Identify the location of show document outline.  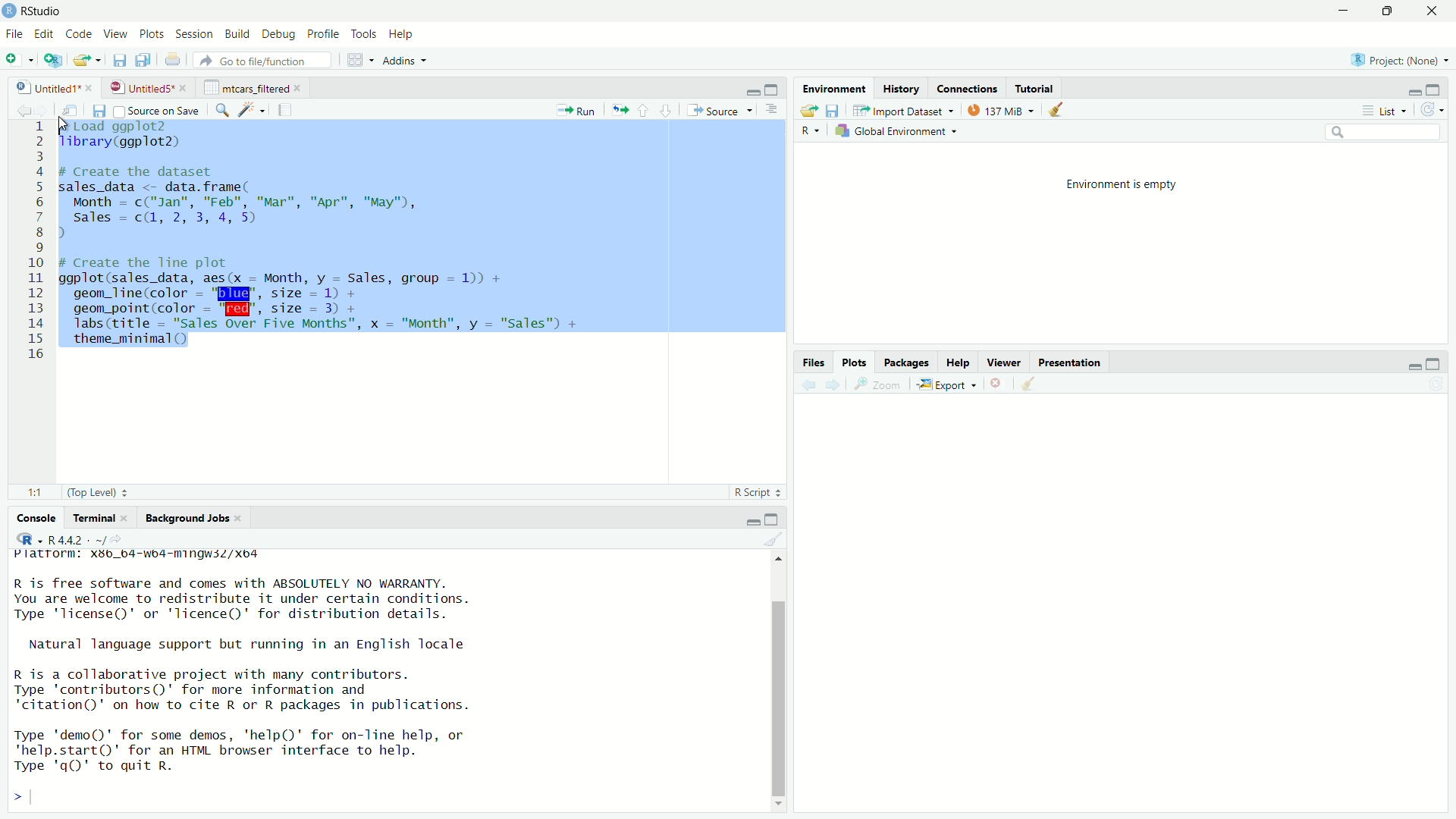
(772, 111).